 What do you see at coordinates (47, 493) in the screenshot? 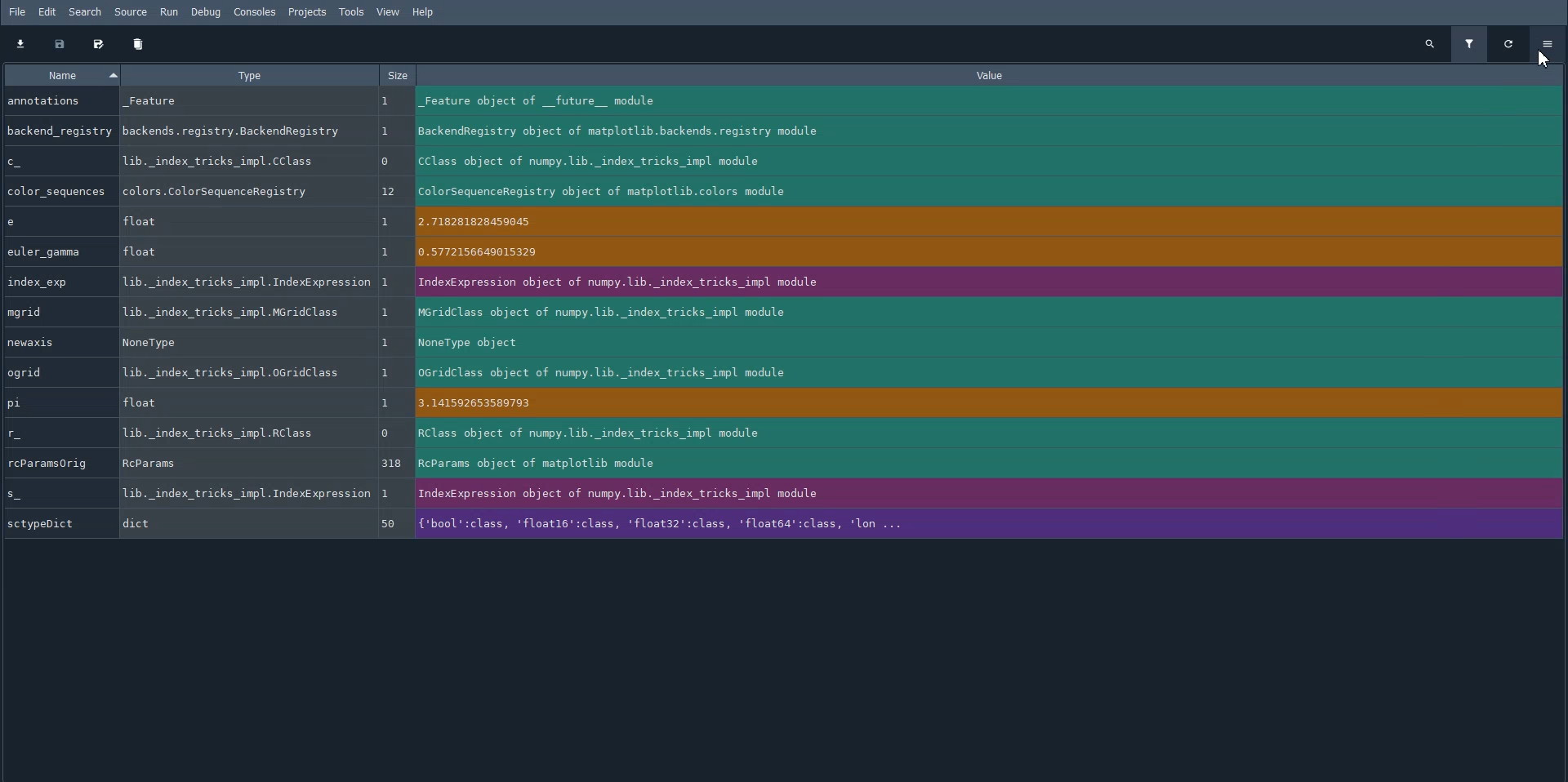
I see `S_` at bounding box center [47, 493].